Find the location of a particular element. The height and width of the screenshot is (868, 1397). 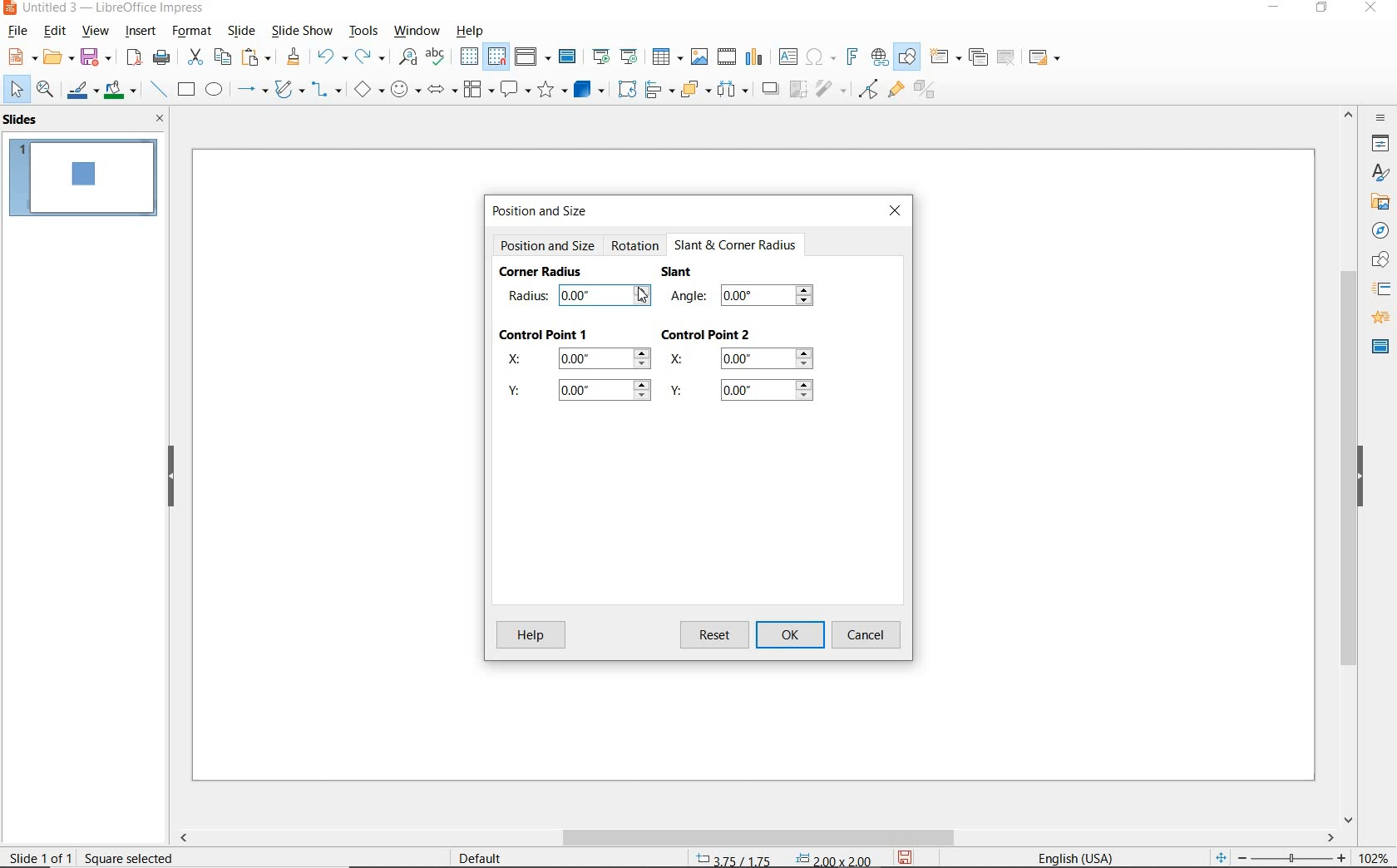

callout shapes is located at coordinates (516, 91).